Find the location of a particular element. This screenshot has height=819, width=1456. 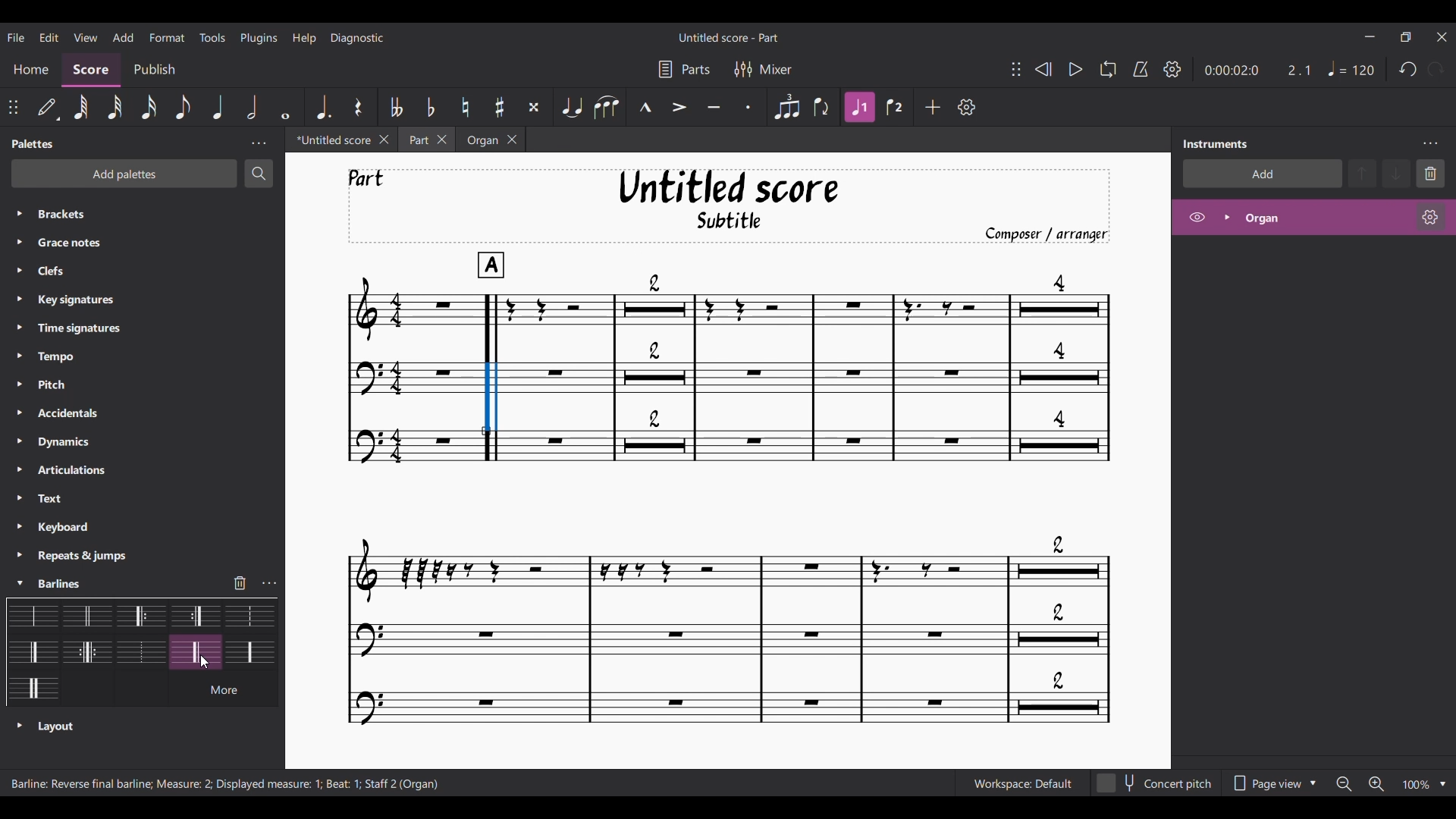

Toggle natural is located at coordinates (466, 106).